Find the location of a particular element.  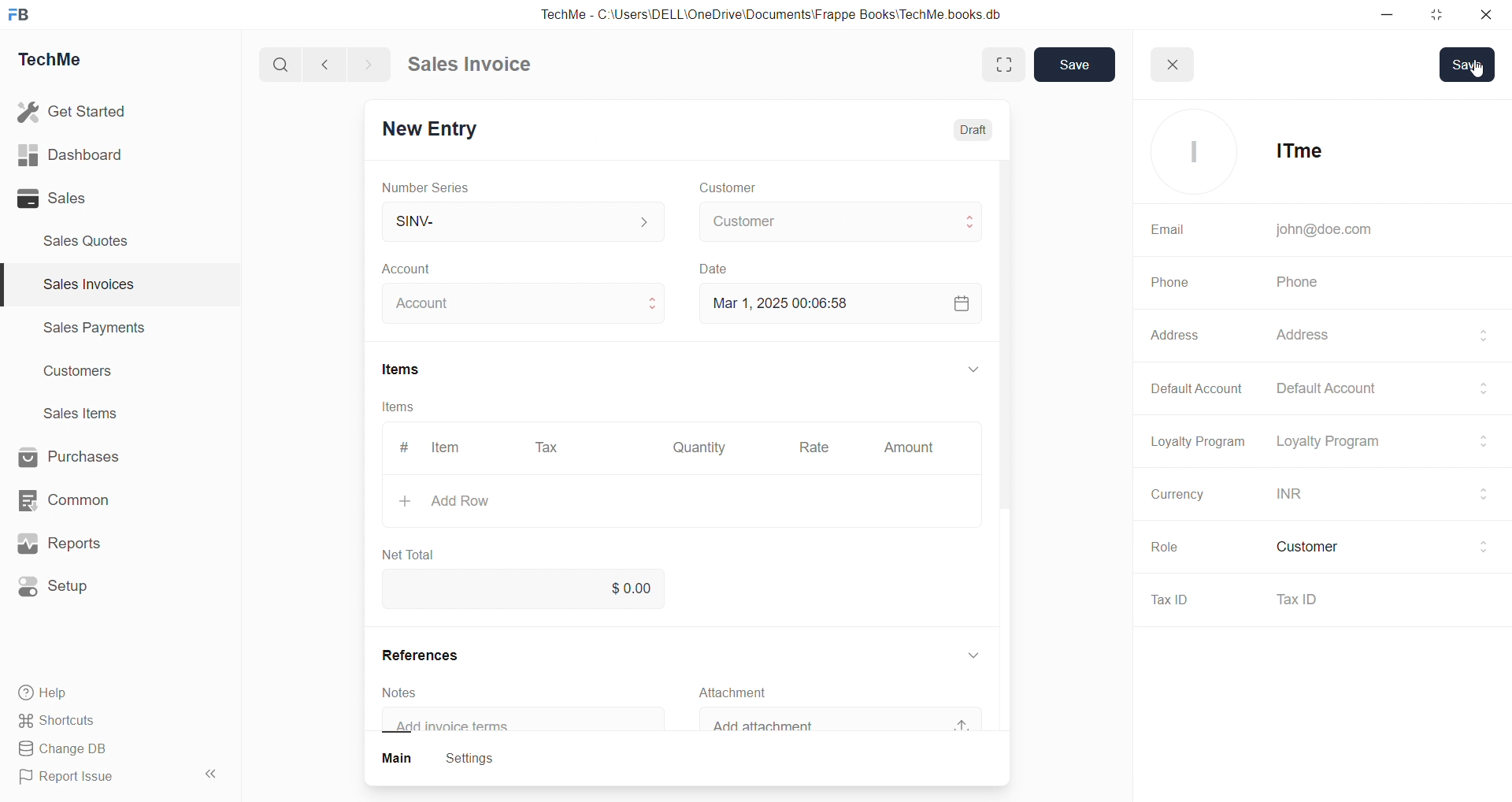

Sales Items is located at coordinates (87, 415).